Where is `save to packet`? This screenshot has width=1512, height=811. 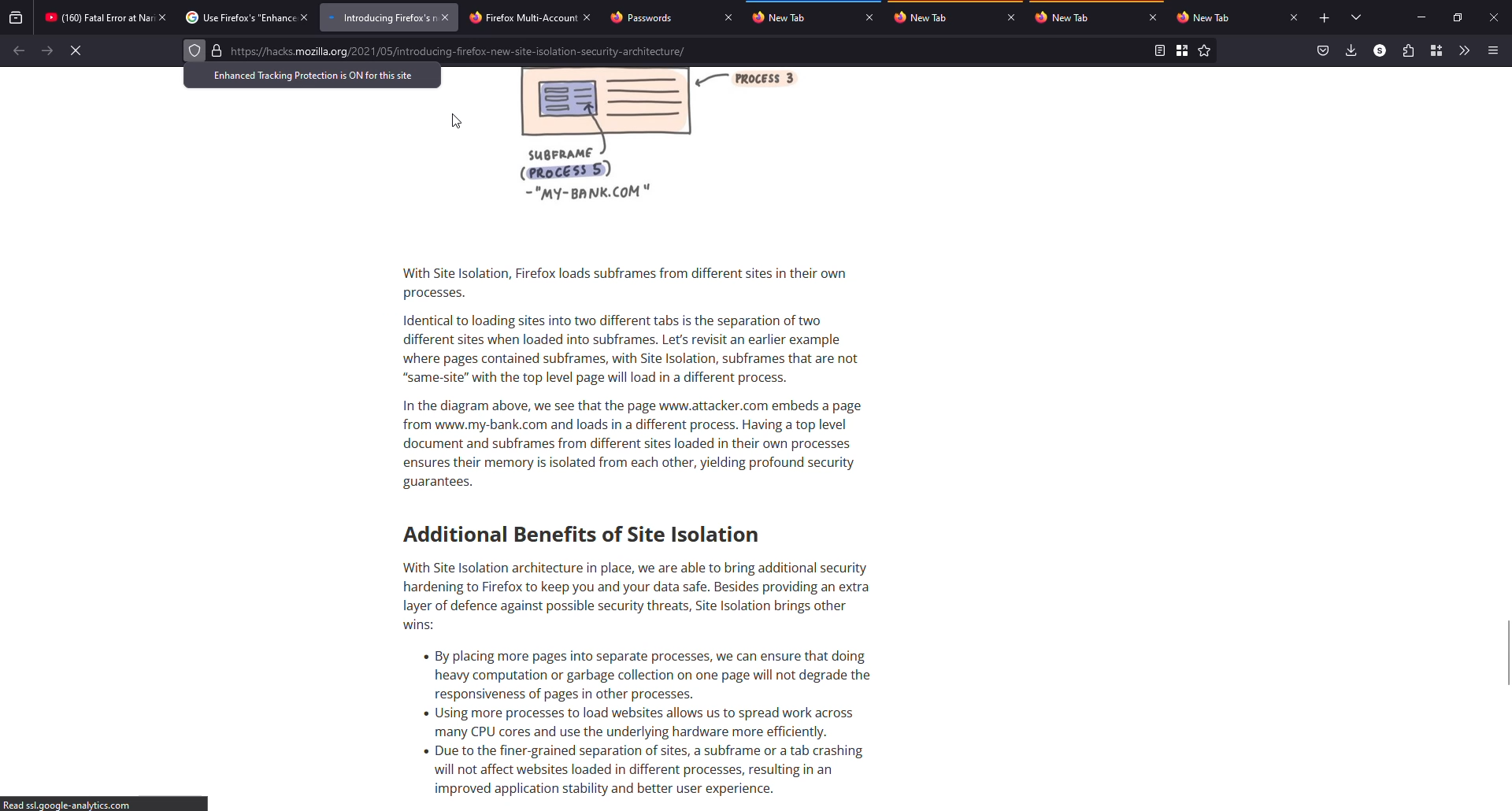 save to packet is located at coordinates (1321, 50).